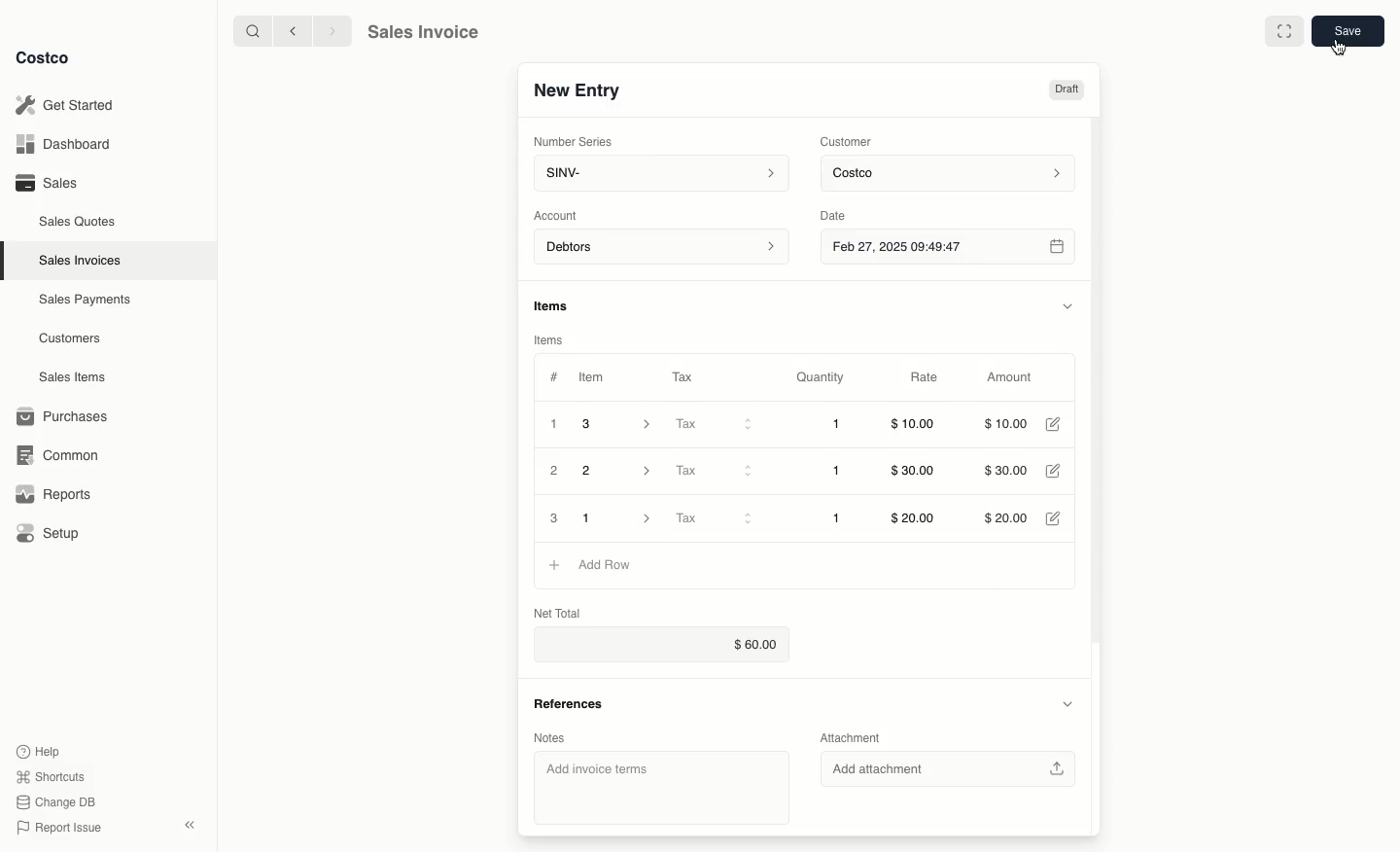 This screenshot has width=1400, height=852. Describe the element at coordinates (687, 376) in the screenshot. I see `Tax` at that location.